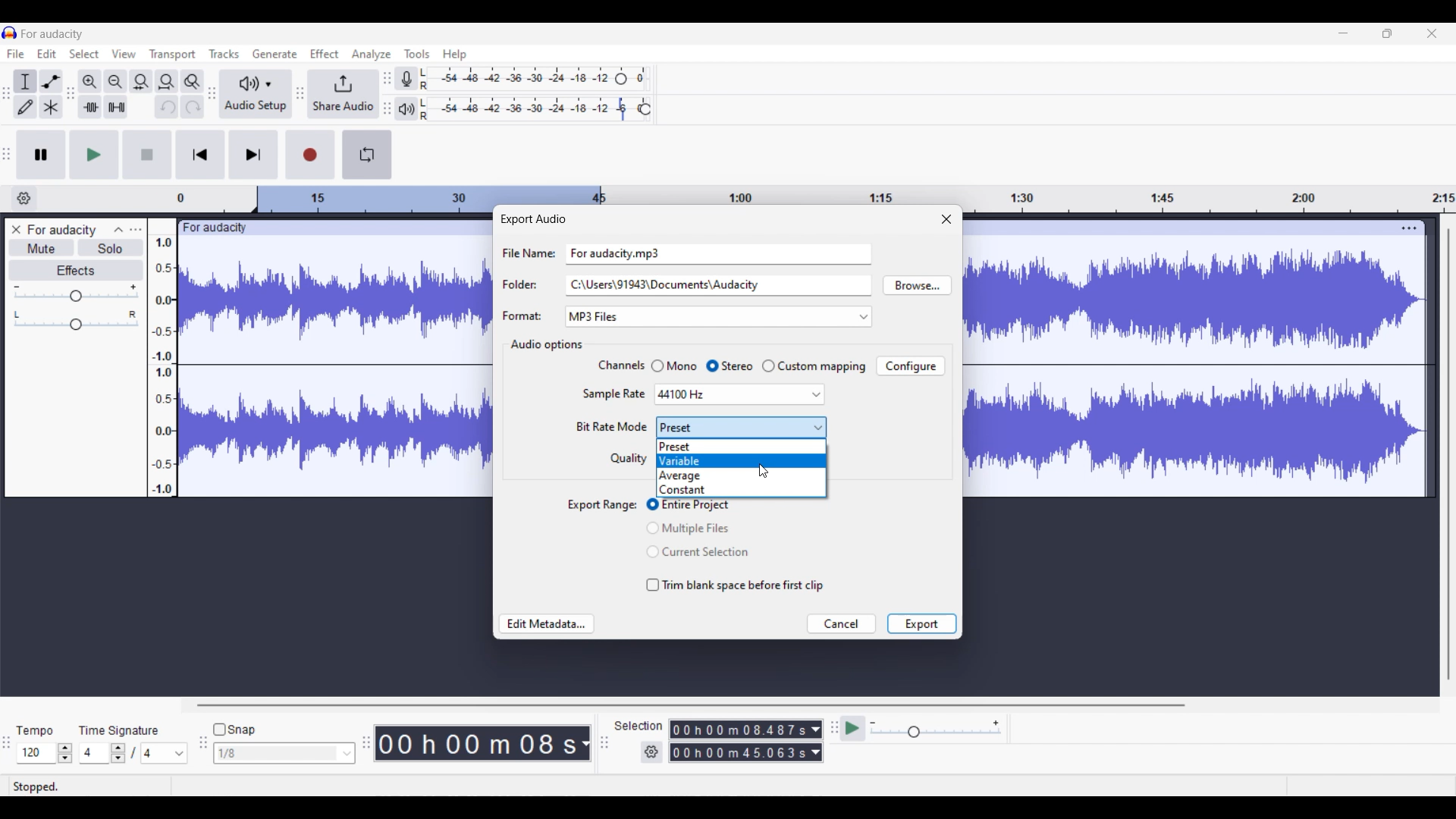 The image size is (1456, 819). Describe the element at coordinates (698, 528) in the screenshot. I see `Toggle for 'Multiple Files'` at that location.